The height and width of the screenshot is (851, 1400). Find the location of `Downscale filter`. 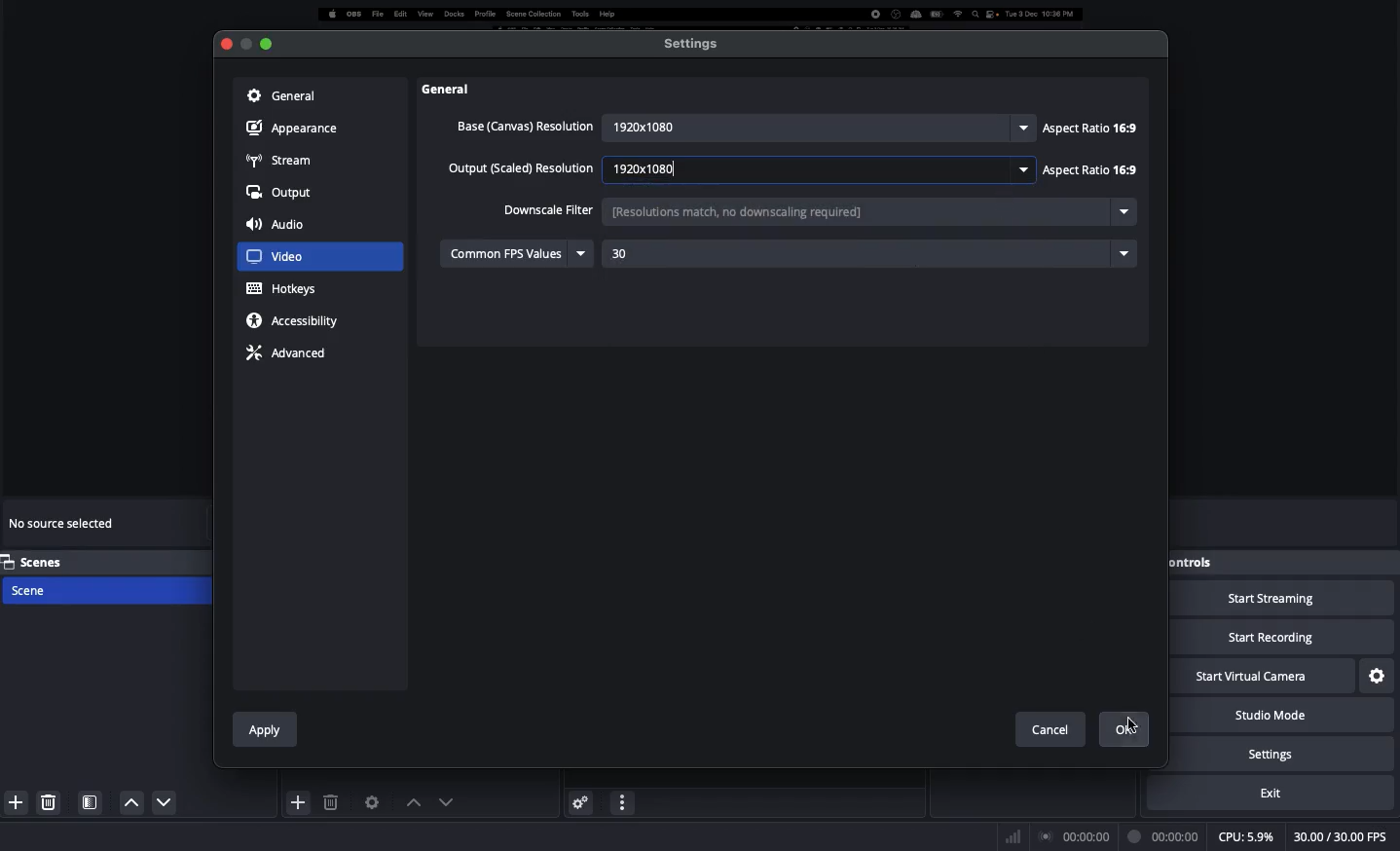

Downscale filter is located at coordinates (548, 208).